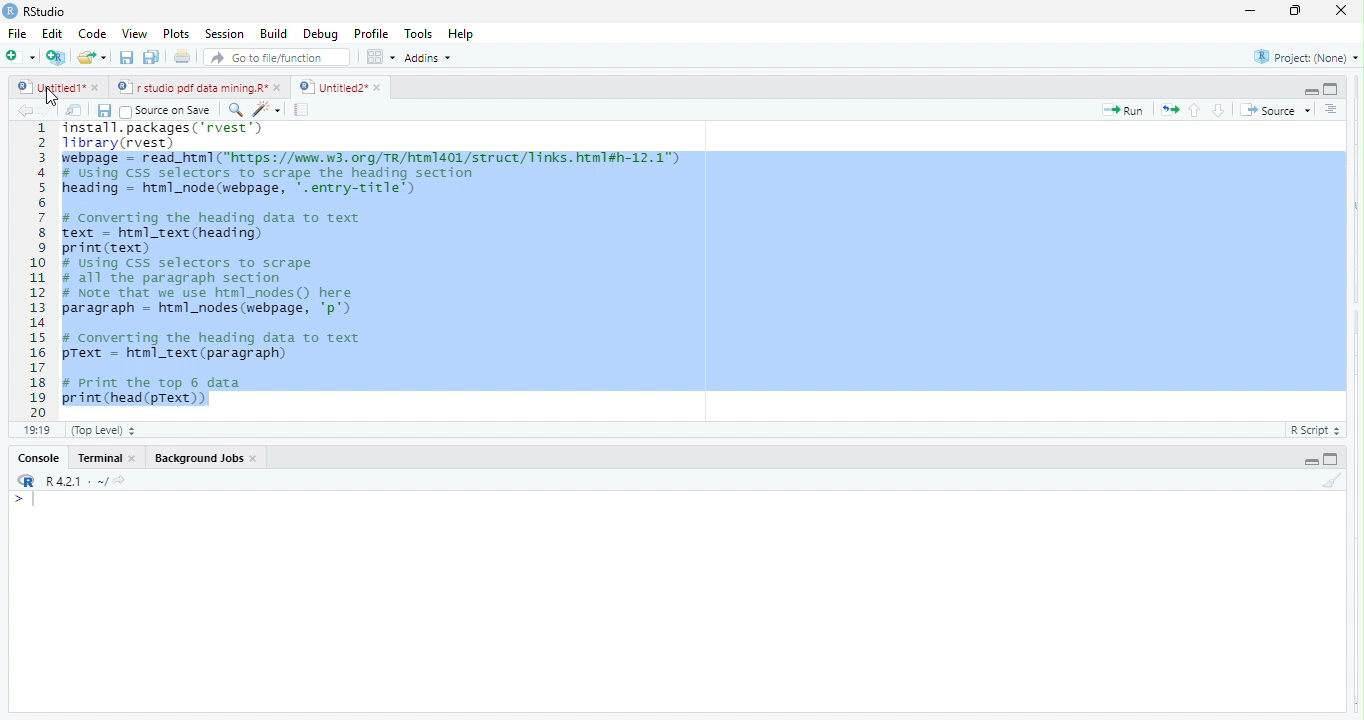 The image size is (1364, 720). Describe the element at coordinates (38, 269) in the screenshot. I see `1
2
3
a
5
6
7
H
9
10
11
12
13
14
15
16
17
18
19
20` at that location.